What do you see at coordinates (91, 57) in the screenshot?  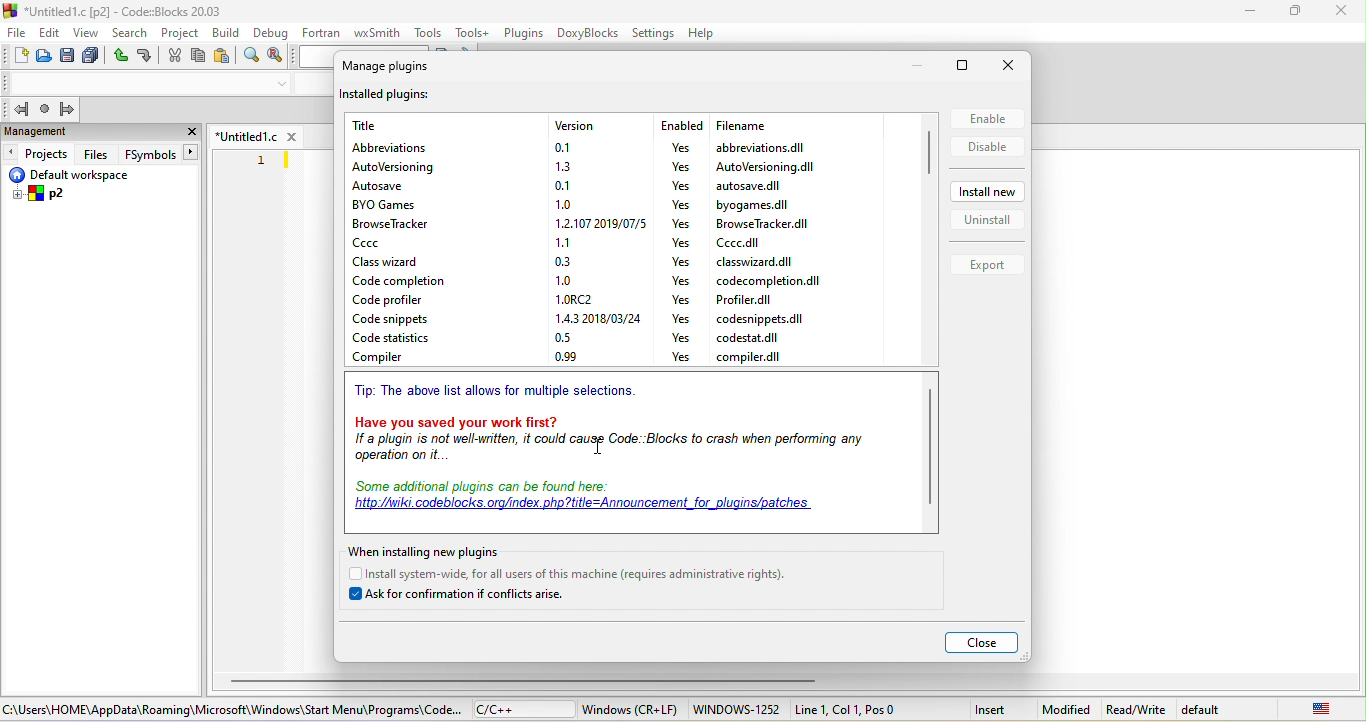 I see `save everything` at bounding box center [91, 57].